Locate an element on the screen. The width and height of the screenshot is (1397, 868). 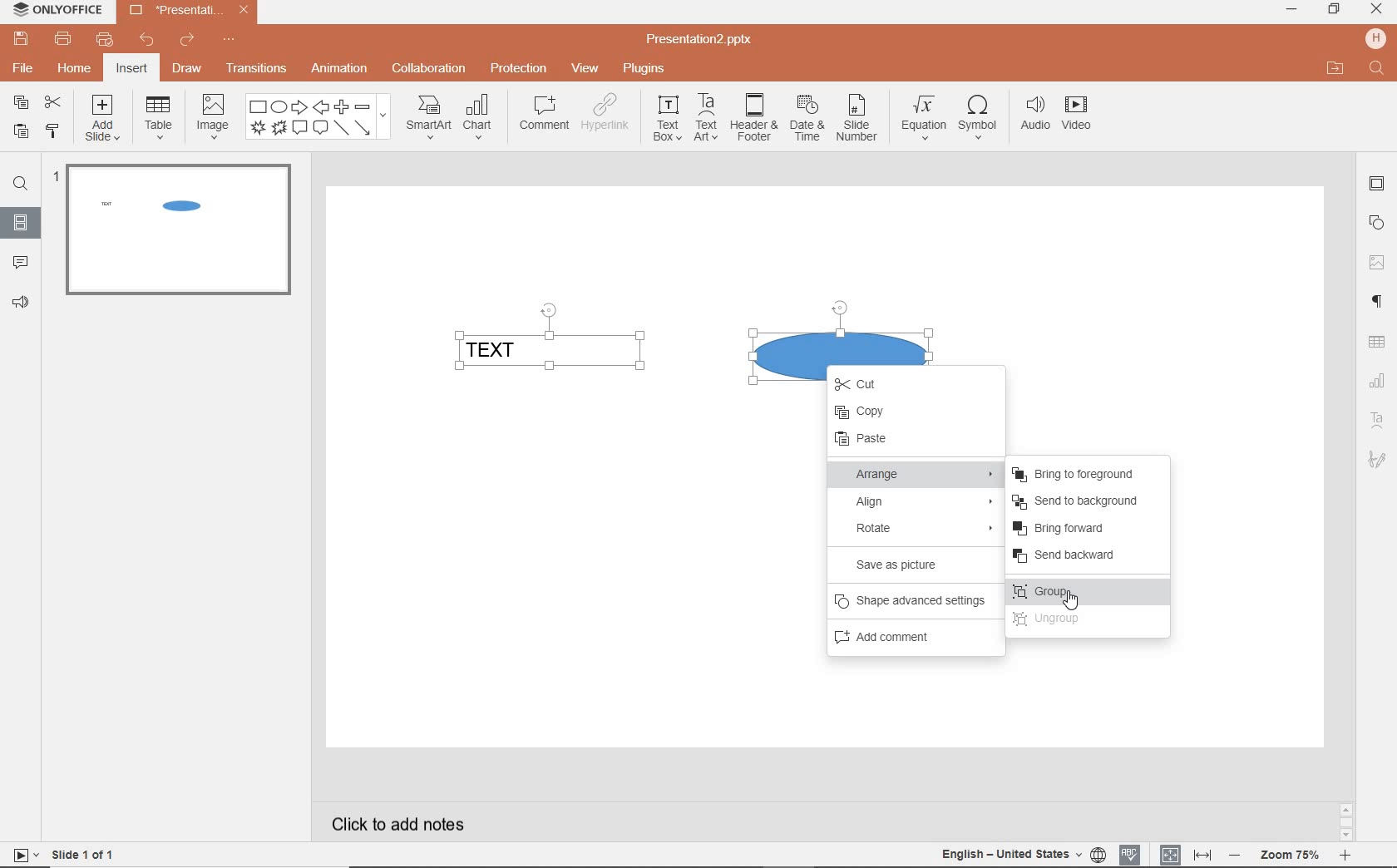
SLIDE 1 OF 1 is located at coordinates (65, 854).